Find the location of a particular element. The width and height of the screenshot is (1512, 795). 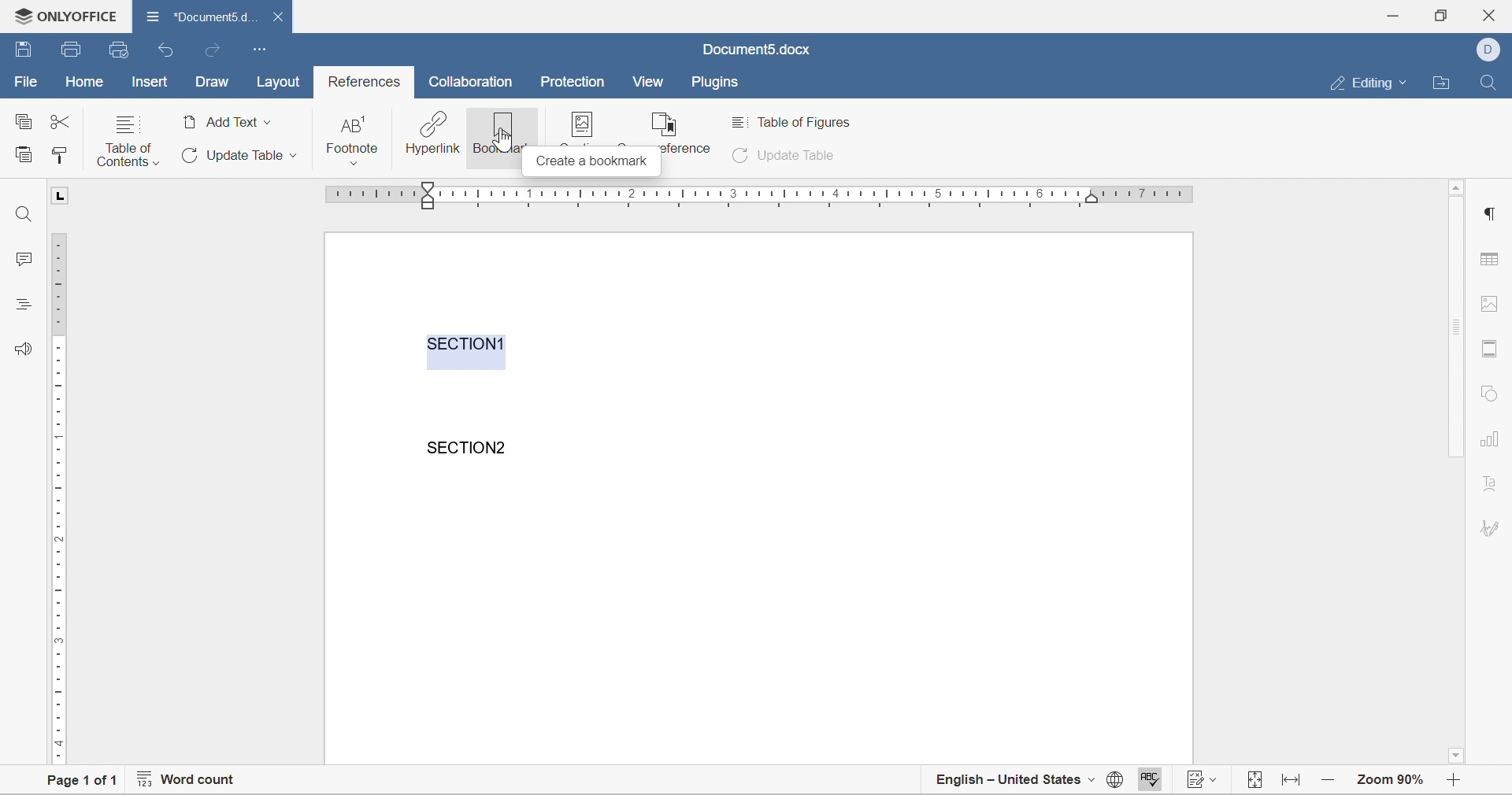

section2 is located at coordinates (470, 447).